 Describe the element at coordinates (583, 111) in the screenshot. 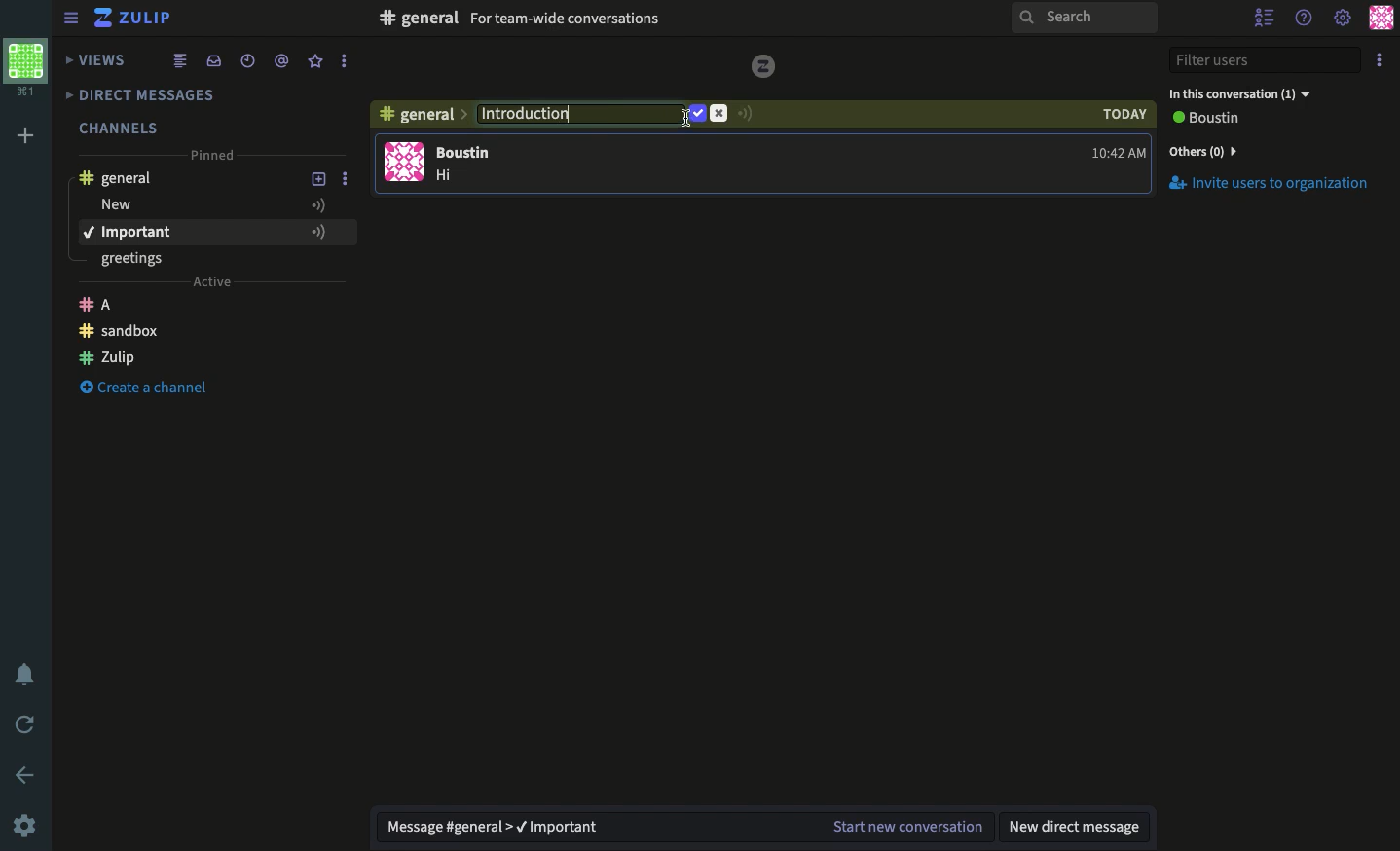

I see `Edit` at that location.